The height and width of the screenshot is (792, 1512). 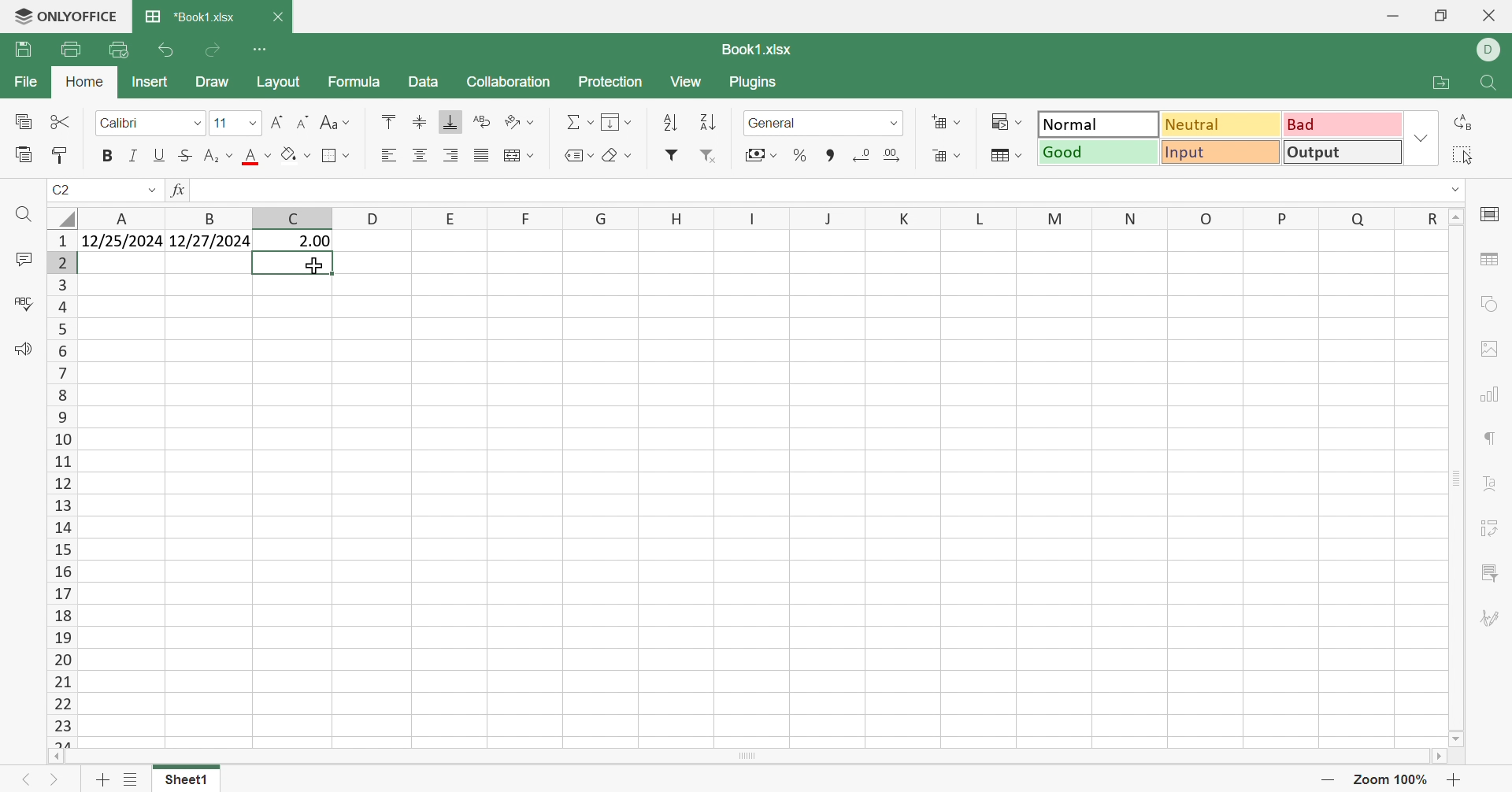 I want to click on Input, so click(x=1221, y=154).